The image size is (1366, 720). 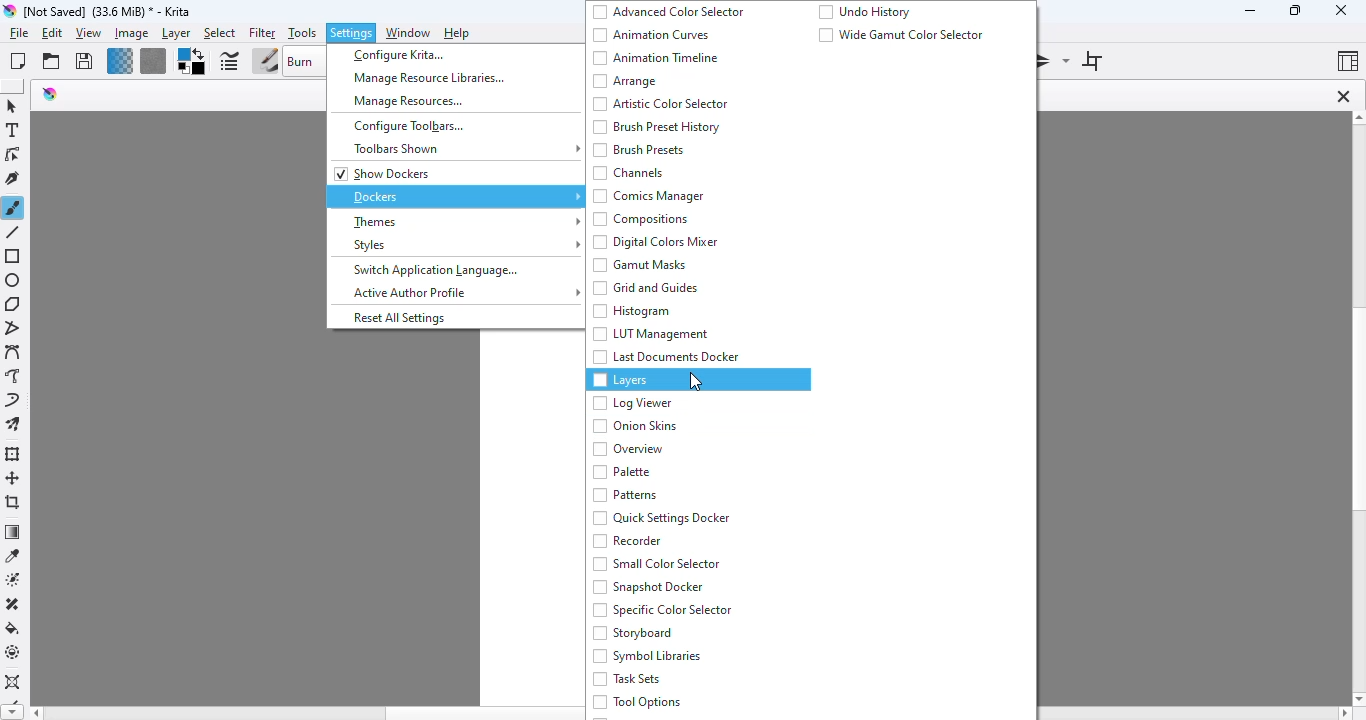 I want to click on freehand brush tool, so click(x=13, y=207).